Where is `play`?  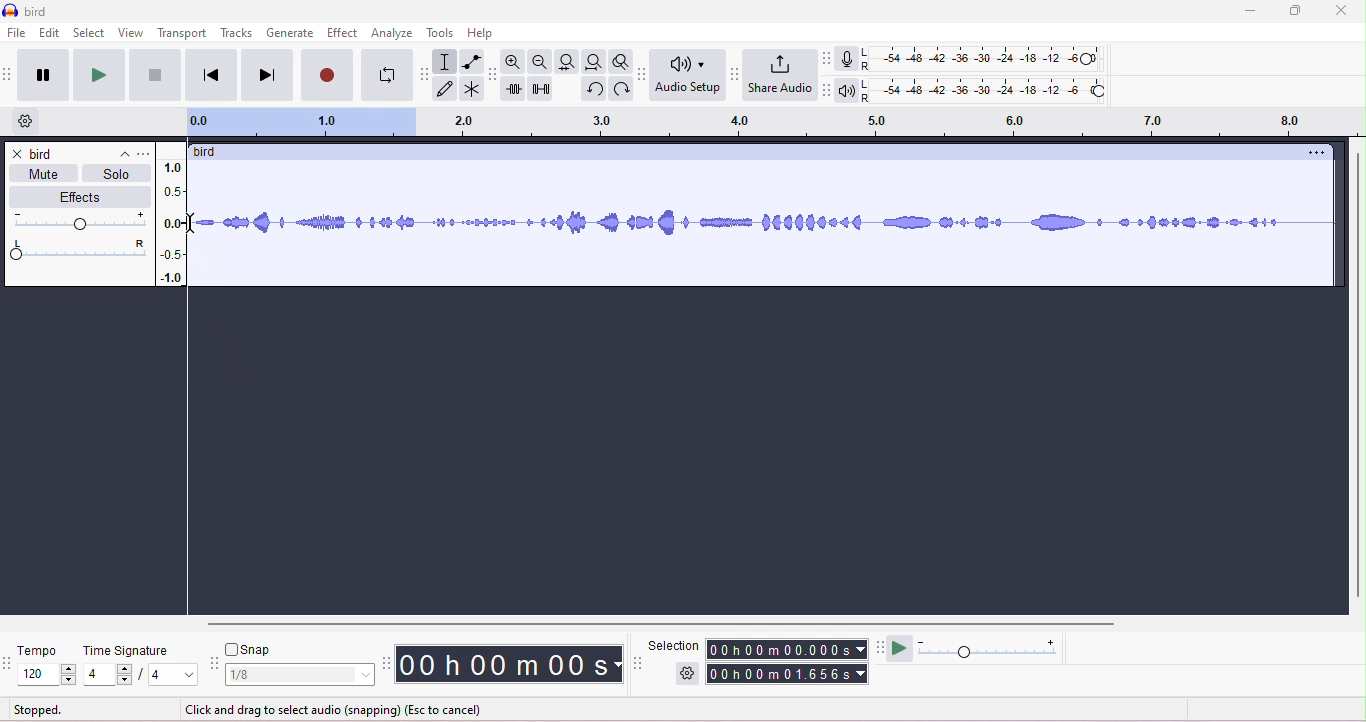
play is located at coordinates (99, 76).